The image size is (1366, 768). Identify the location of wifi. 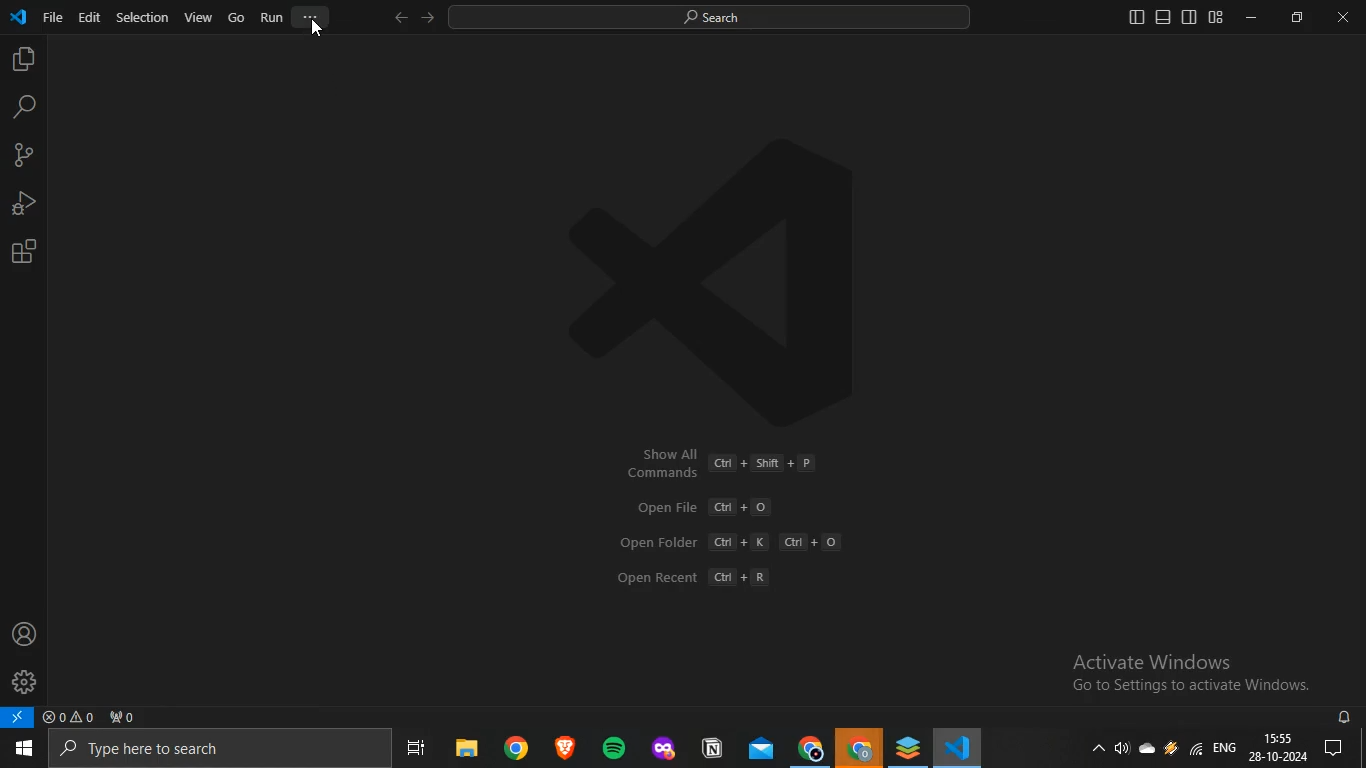
(1195, 750).